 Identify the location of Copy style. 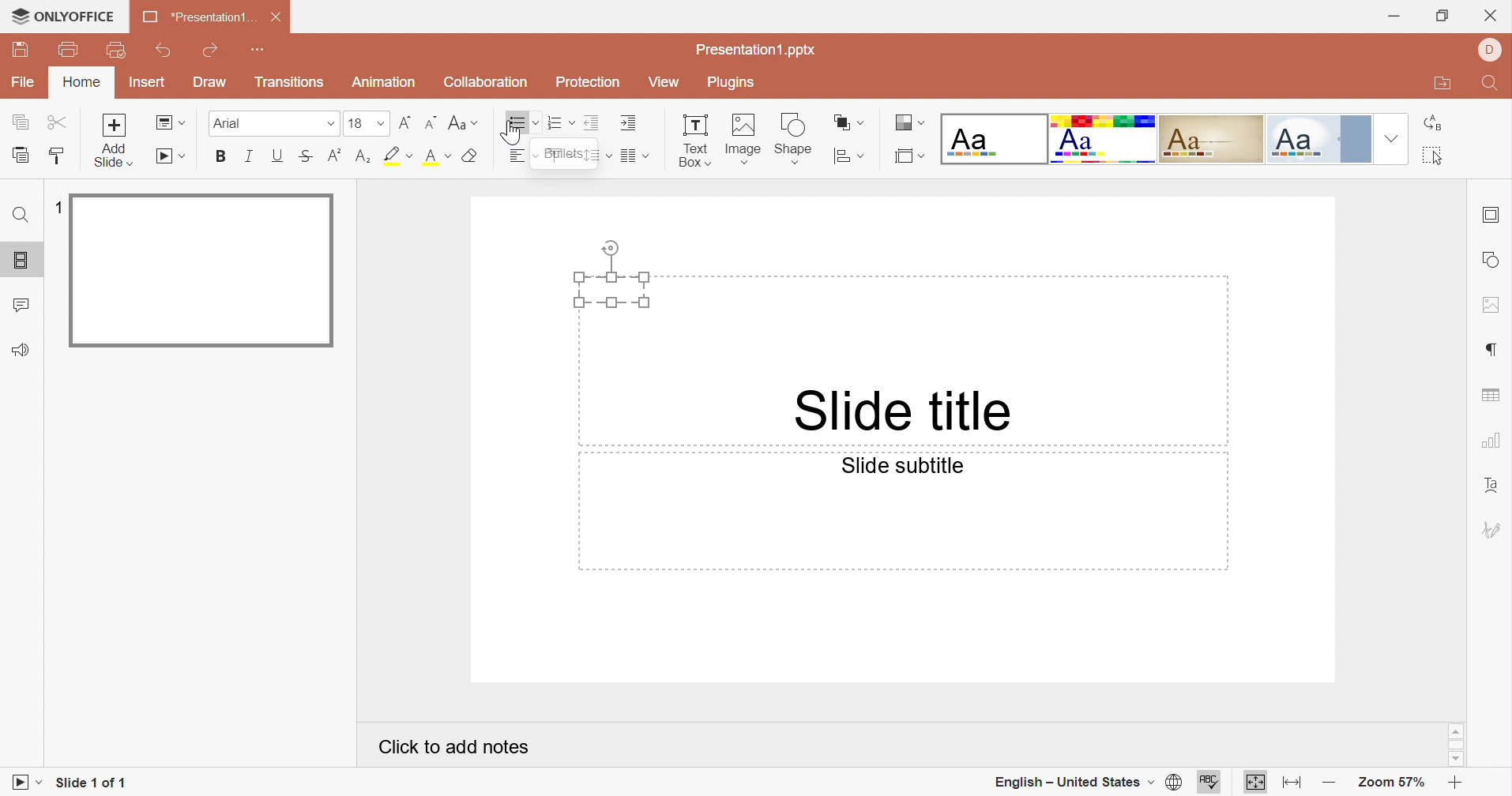
(58, 160).